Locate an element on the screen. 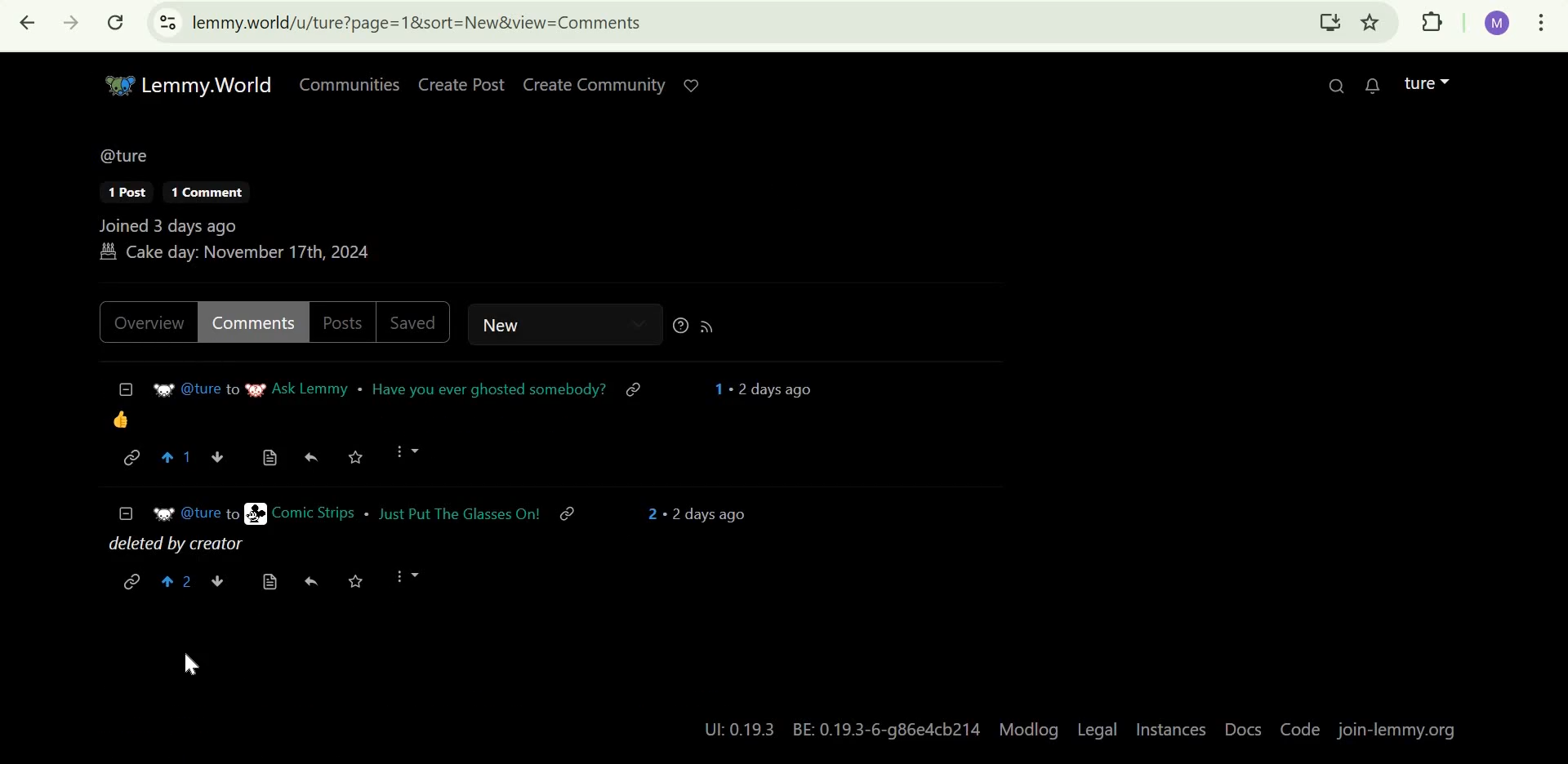  lemmy.world/u/ture?page=18&sort=New&view=Comments is located at coordinates (418, 23).